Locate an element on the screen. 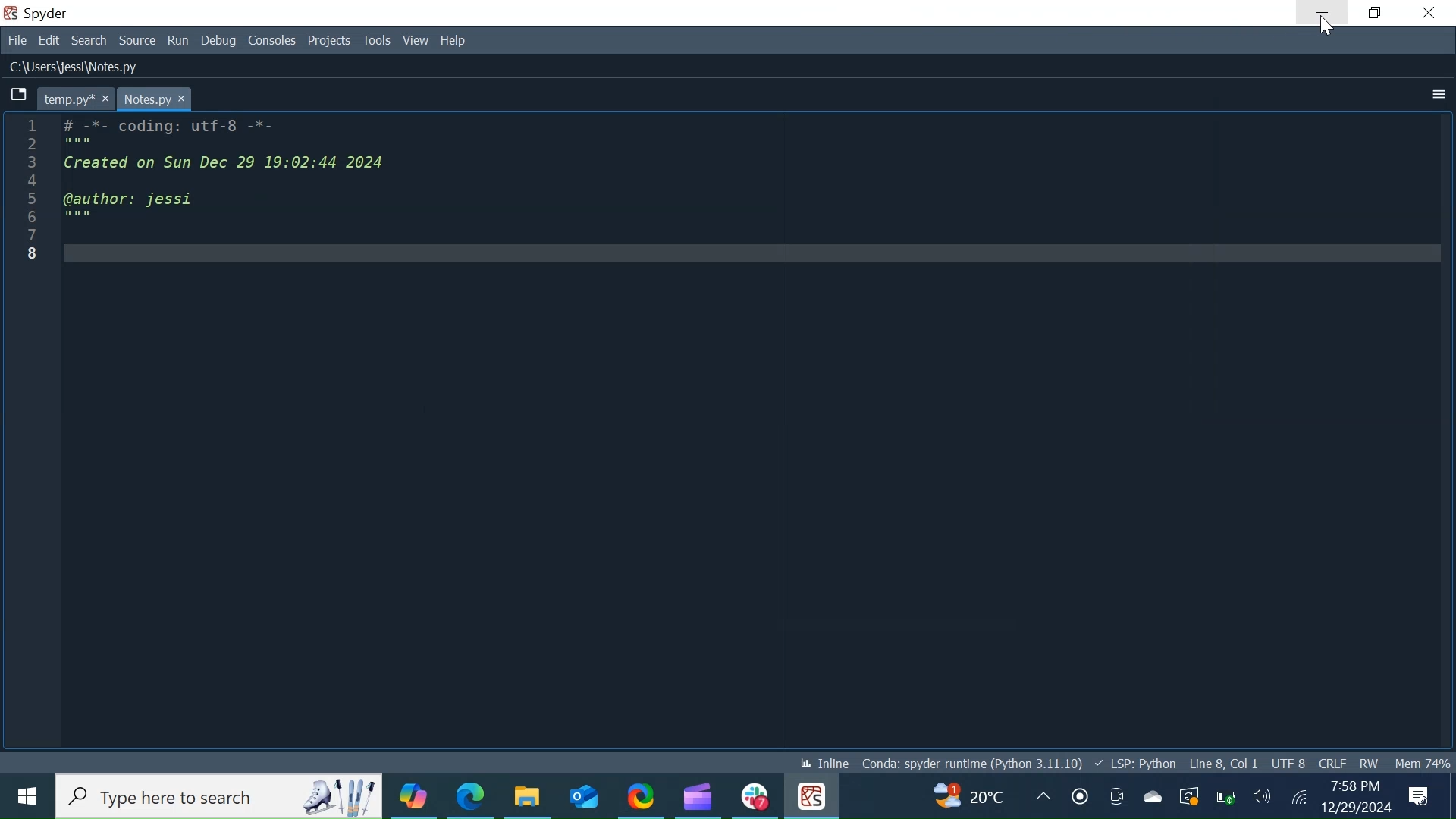 Image resolution: width=1456 pixels, height=819 pixels. Outlook is located at coordinates (586, 795).